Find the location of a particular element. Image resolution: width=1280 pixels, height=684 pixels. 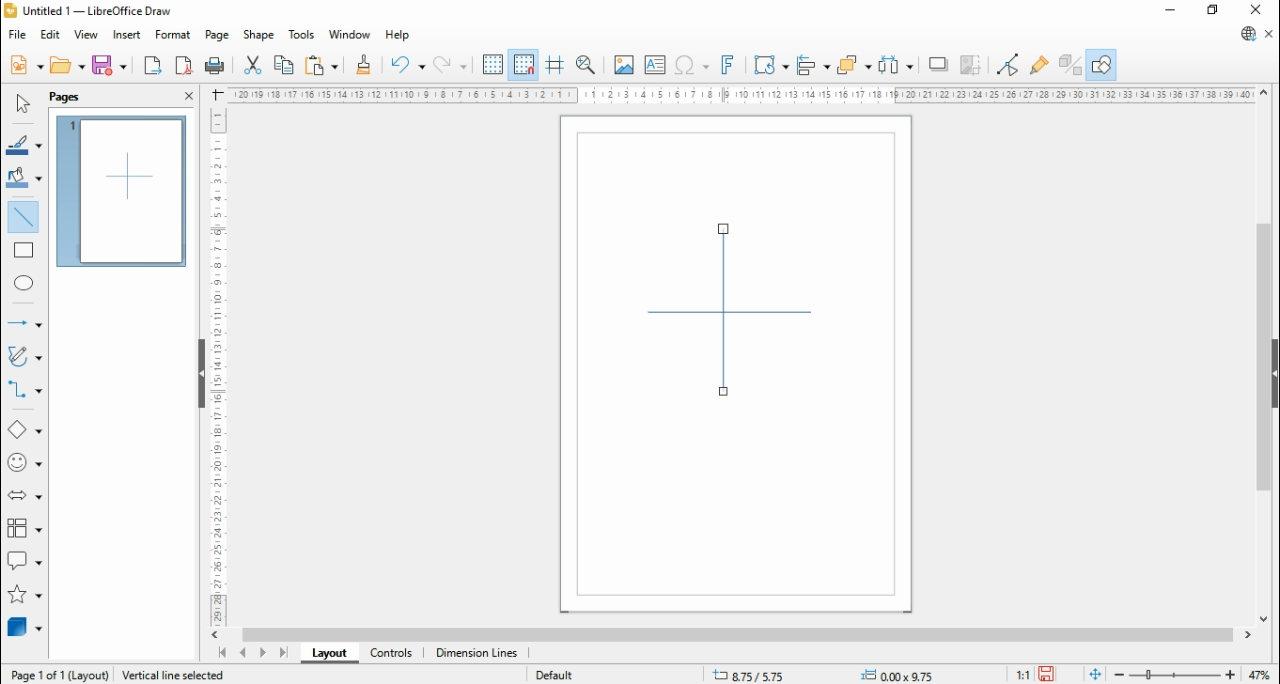

edit is located at coordinates (50, 36).